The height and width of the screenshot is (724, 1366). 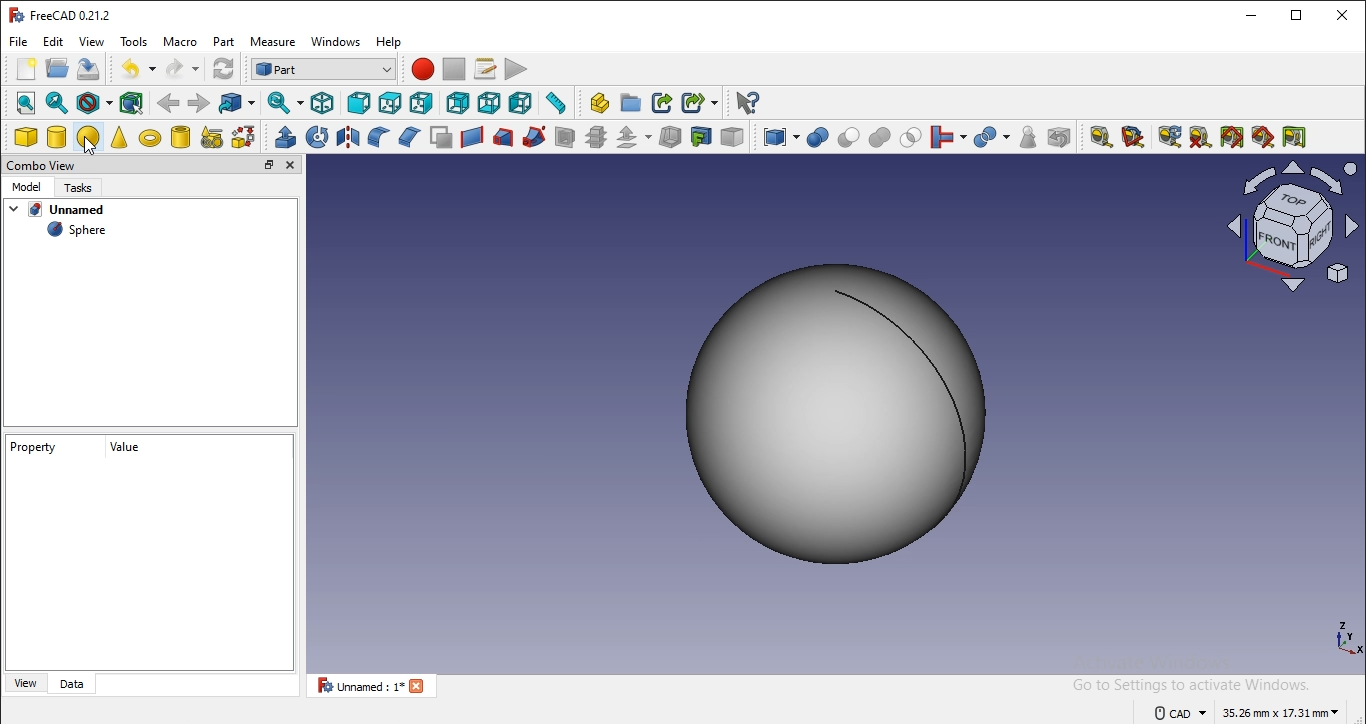 What do you see at coordinates (372, 686) in the screenshot?
I see `unnamed` at bounding box center [372, 686].